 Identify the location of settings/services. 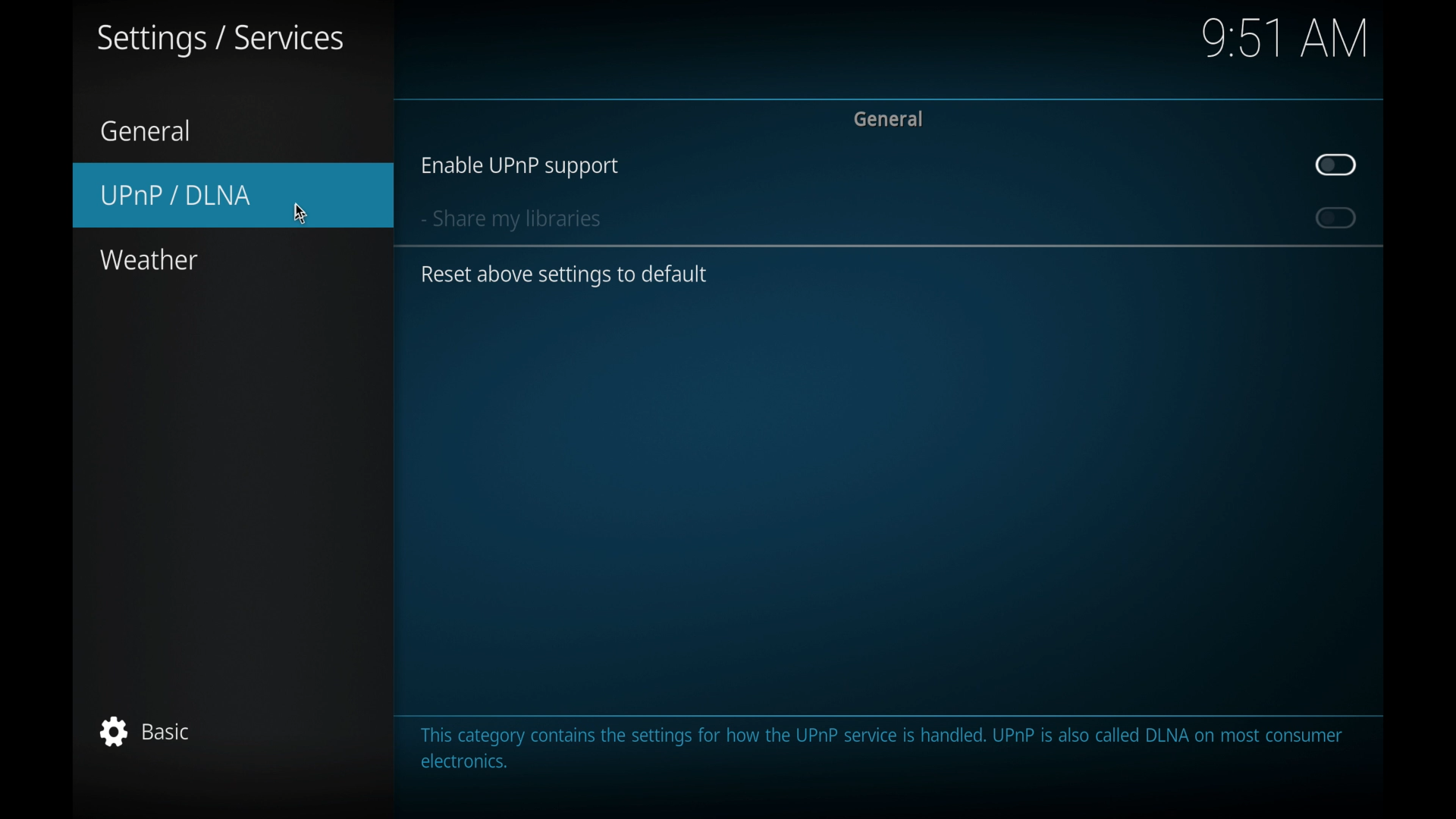
(222, 40).